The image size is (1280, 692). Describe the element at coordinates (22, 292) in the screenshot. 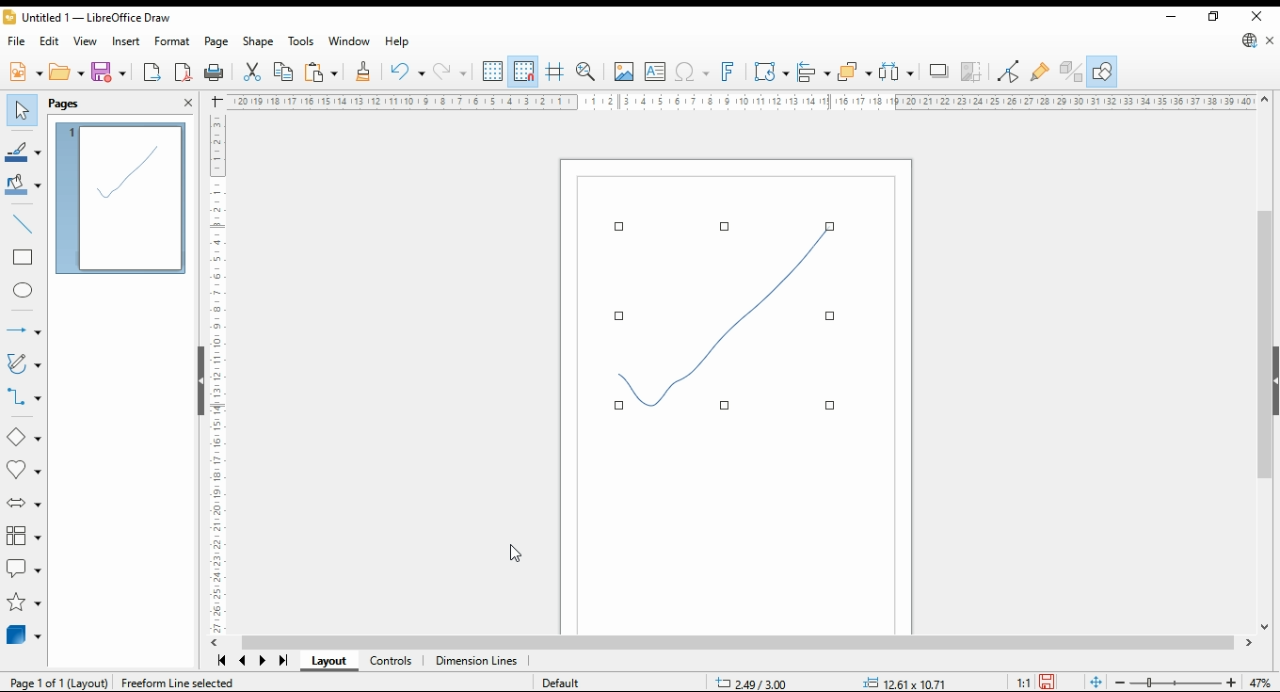

I see `ellipse` at that location.